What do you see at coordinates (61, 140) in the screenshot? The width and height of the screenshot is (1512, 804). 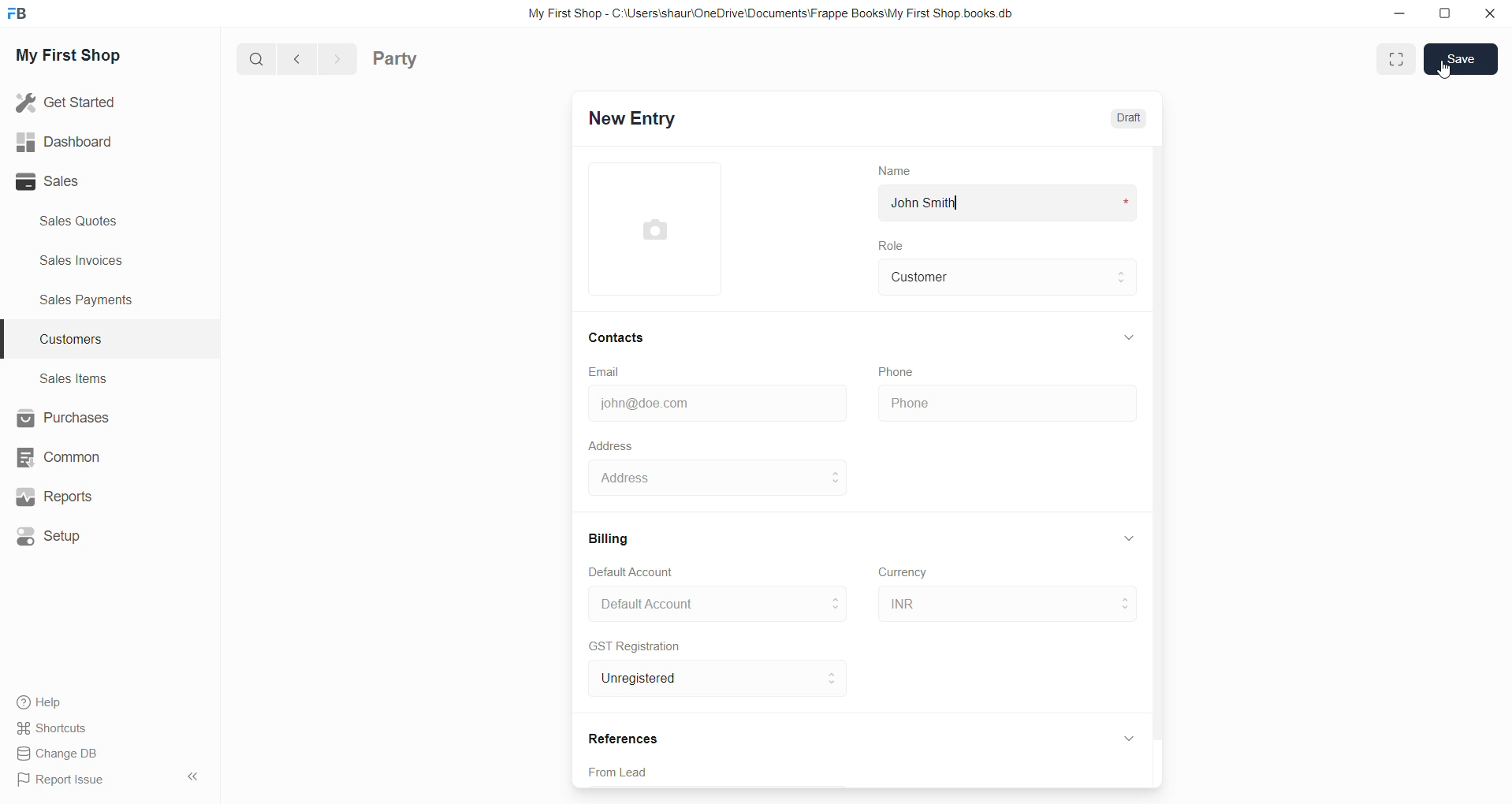 I see `Dashboard` at bounding box center [61, 140].